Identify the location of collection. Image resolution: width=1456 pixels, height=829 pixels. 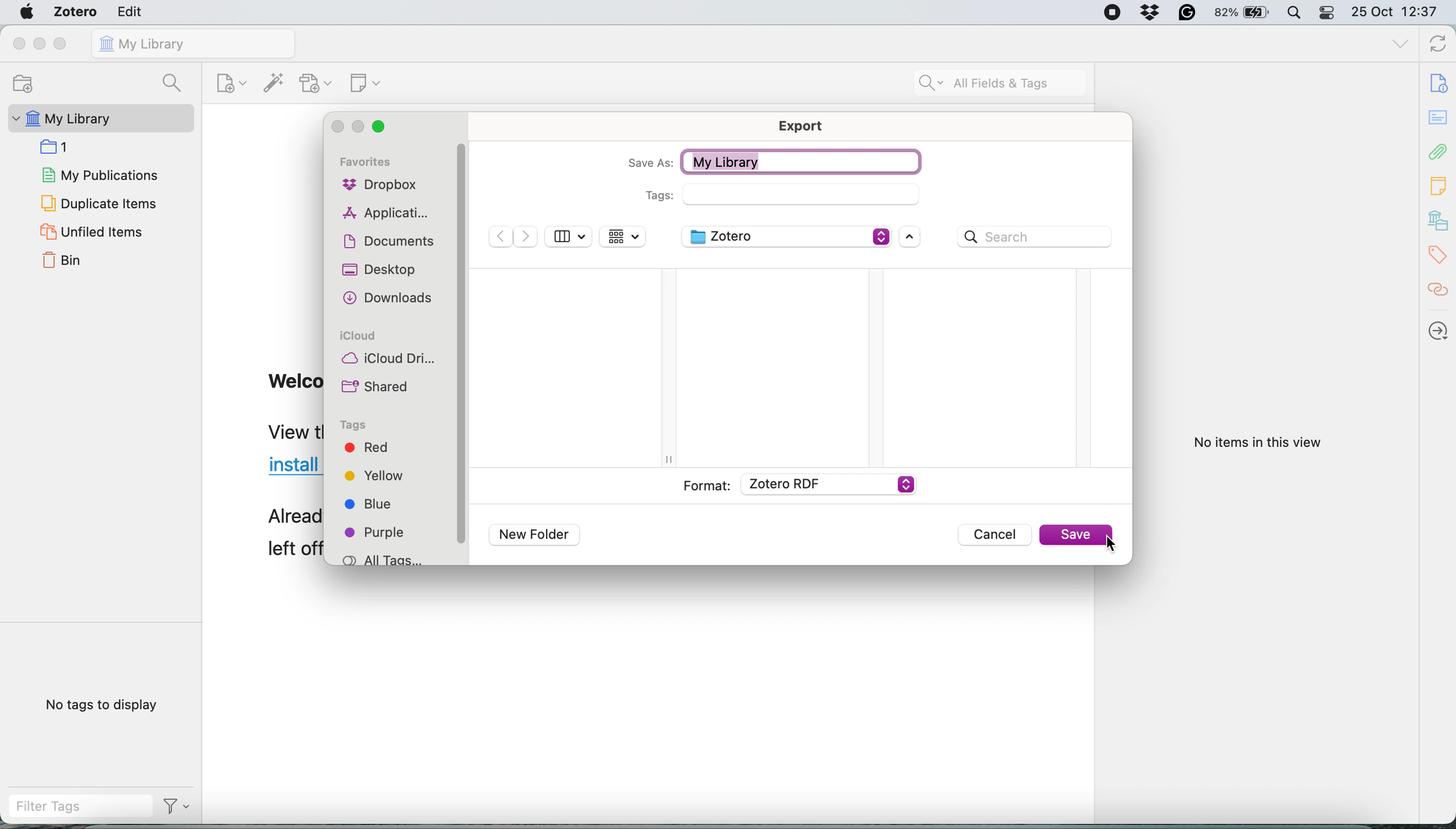
(54, 147).